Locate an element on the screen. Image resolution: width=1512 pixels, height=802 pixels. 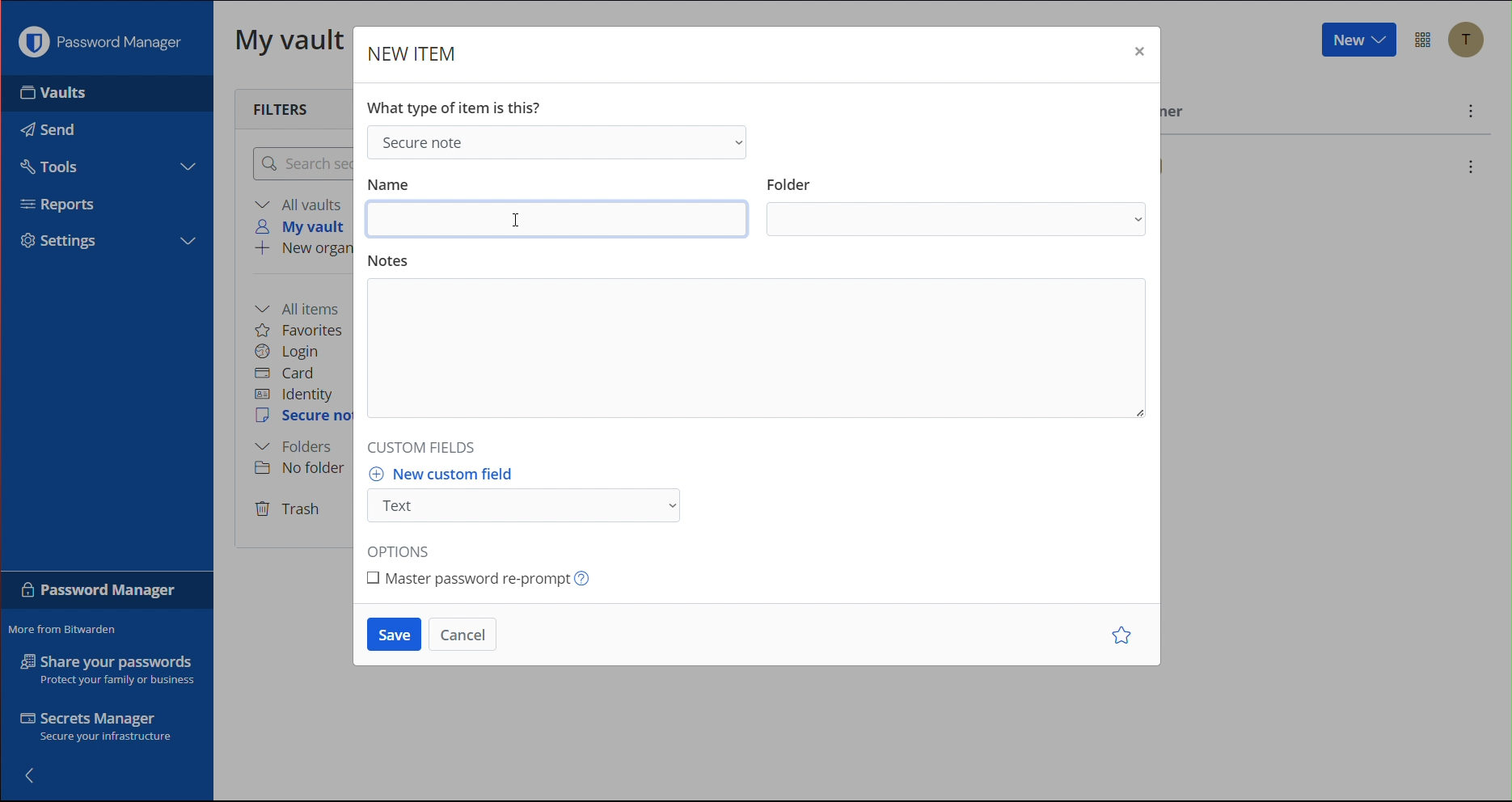
Options is located at coordinates (1425, 40).